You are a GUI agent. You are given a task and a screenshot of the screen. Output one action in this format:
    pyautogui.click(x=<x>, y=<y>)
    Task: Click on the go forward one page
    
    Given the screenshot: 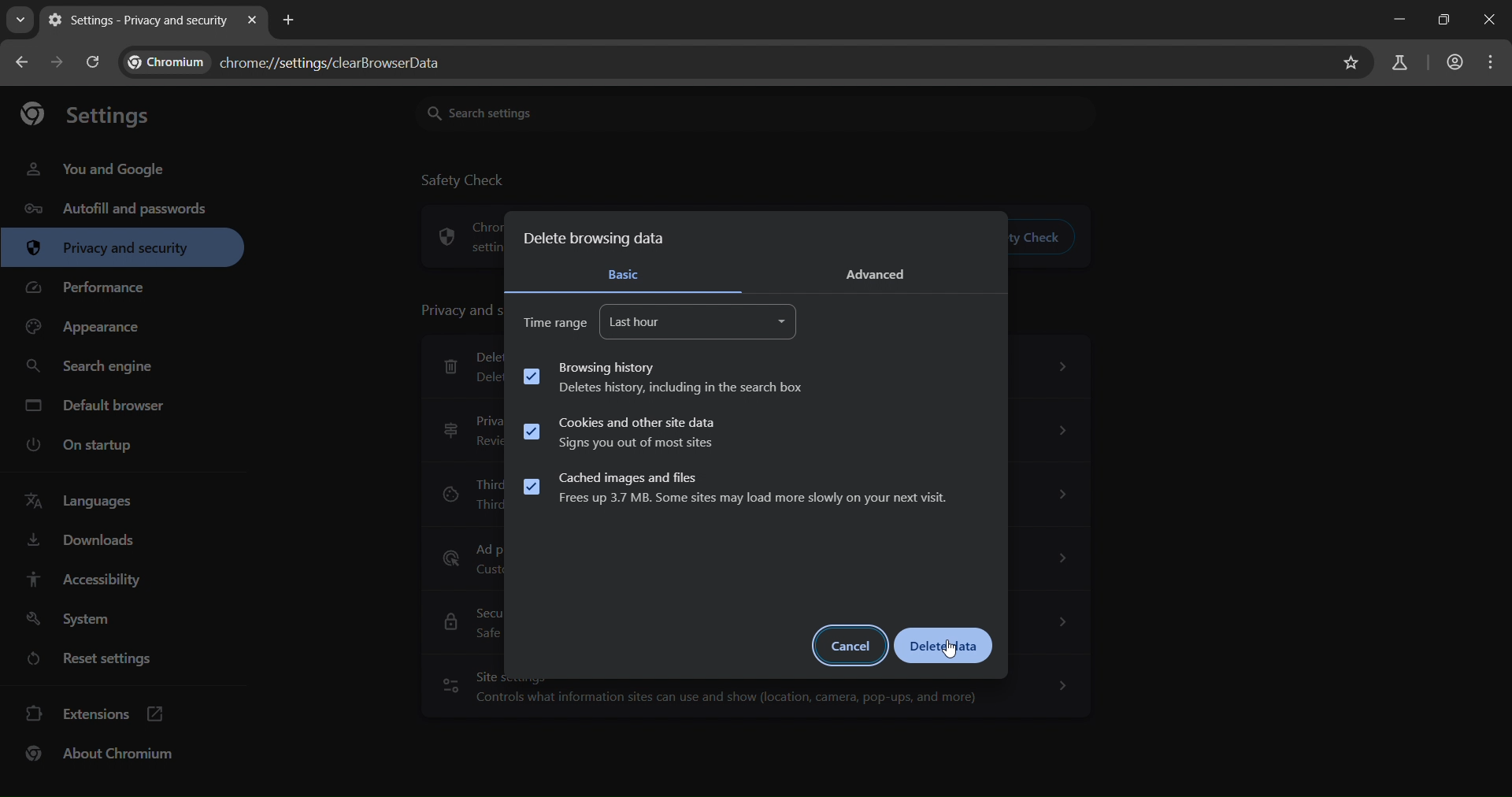 What is the action you would take?
    pyautogui.click(x=57, y=61)
    